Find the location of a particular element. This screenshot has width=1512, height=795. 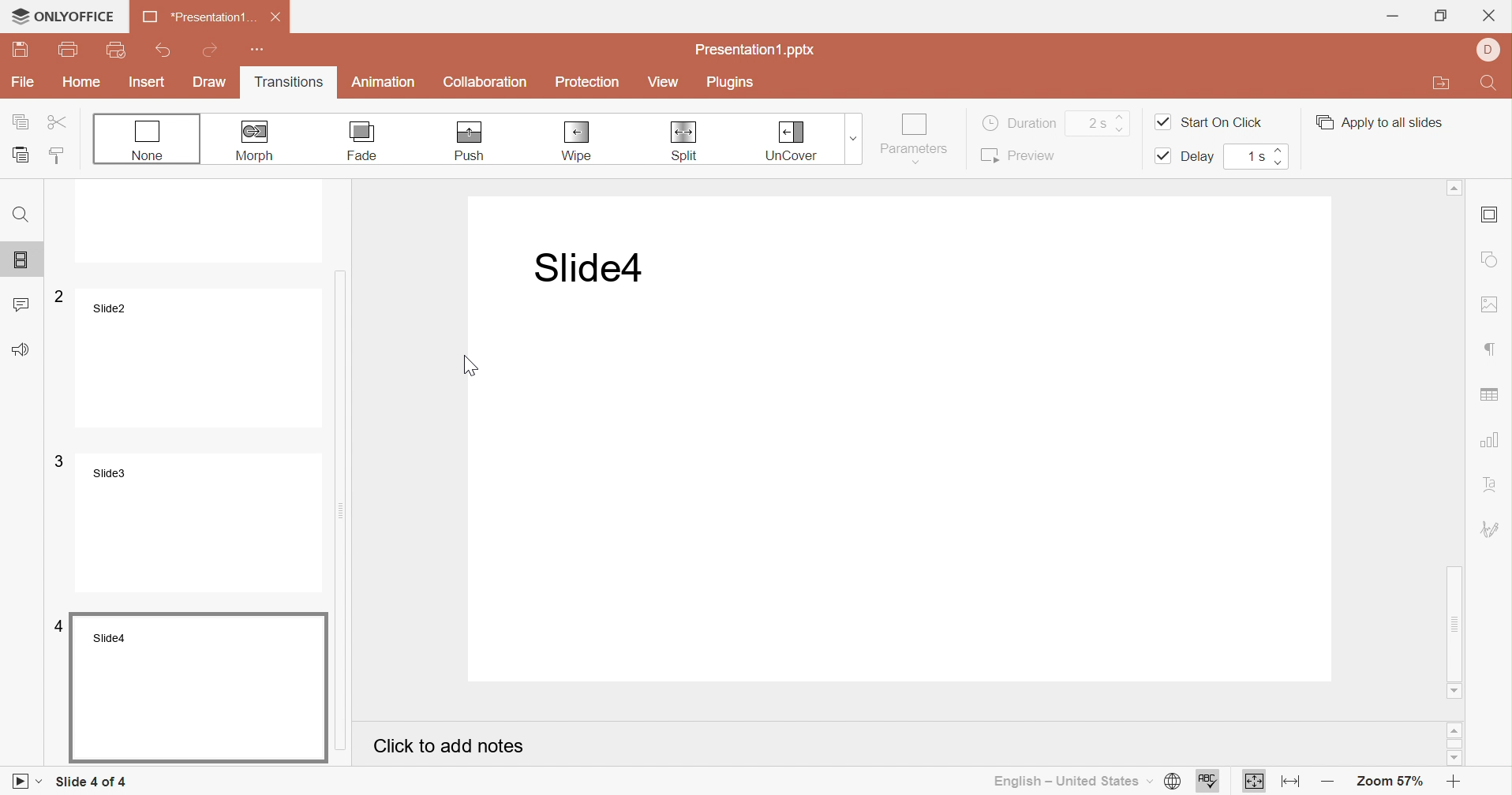

Paste is located at coordinates (23, 155).